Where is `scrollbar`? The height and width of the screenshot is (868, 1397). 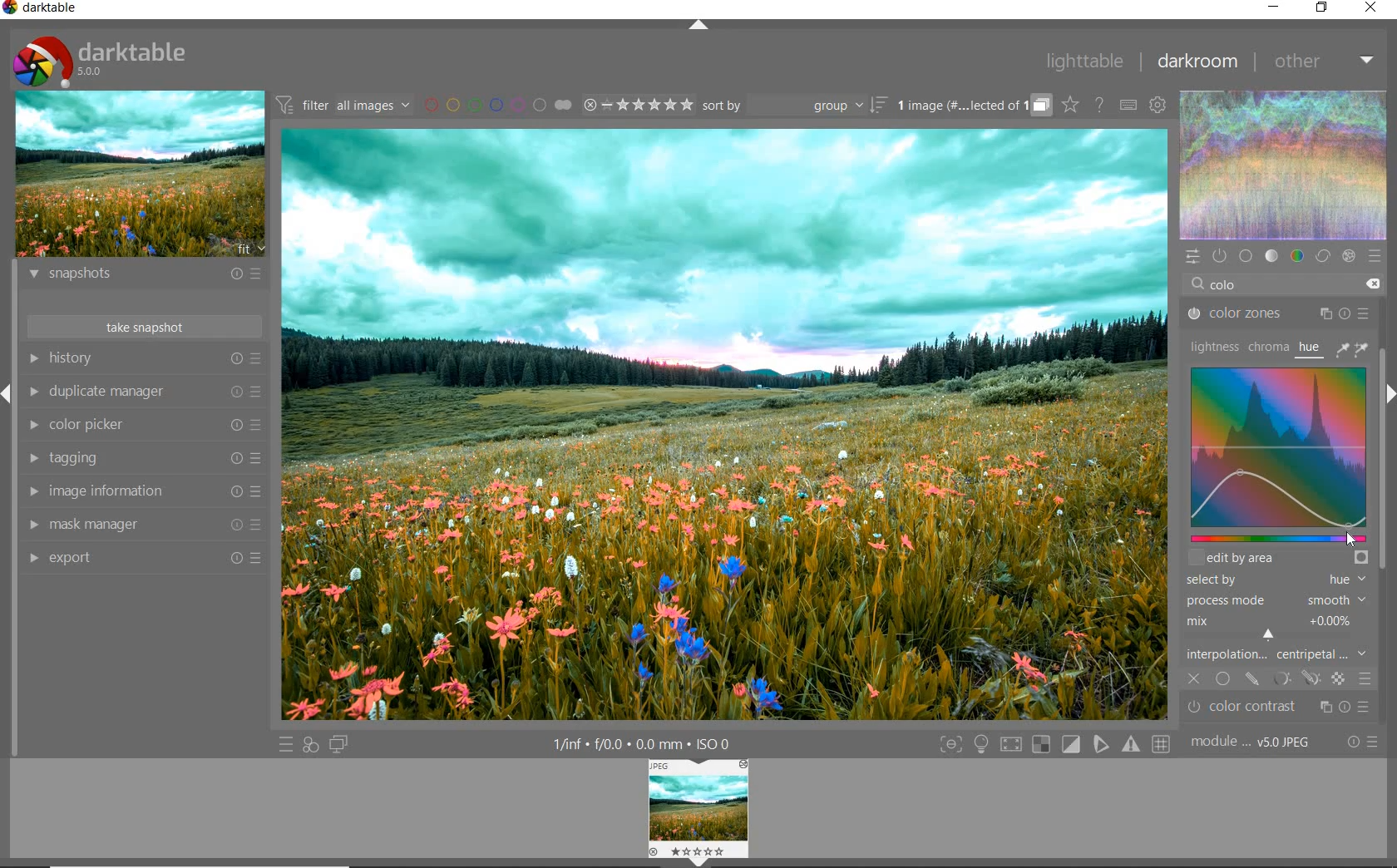 scrollbar is located at coordinates (1382, 525).